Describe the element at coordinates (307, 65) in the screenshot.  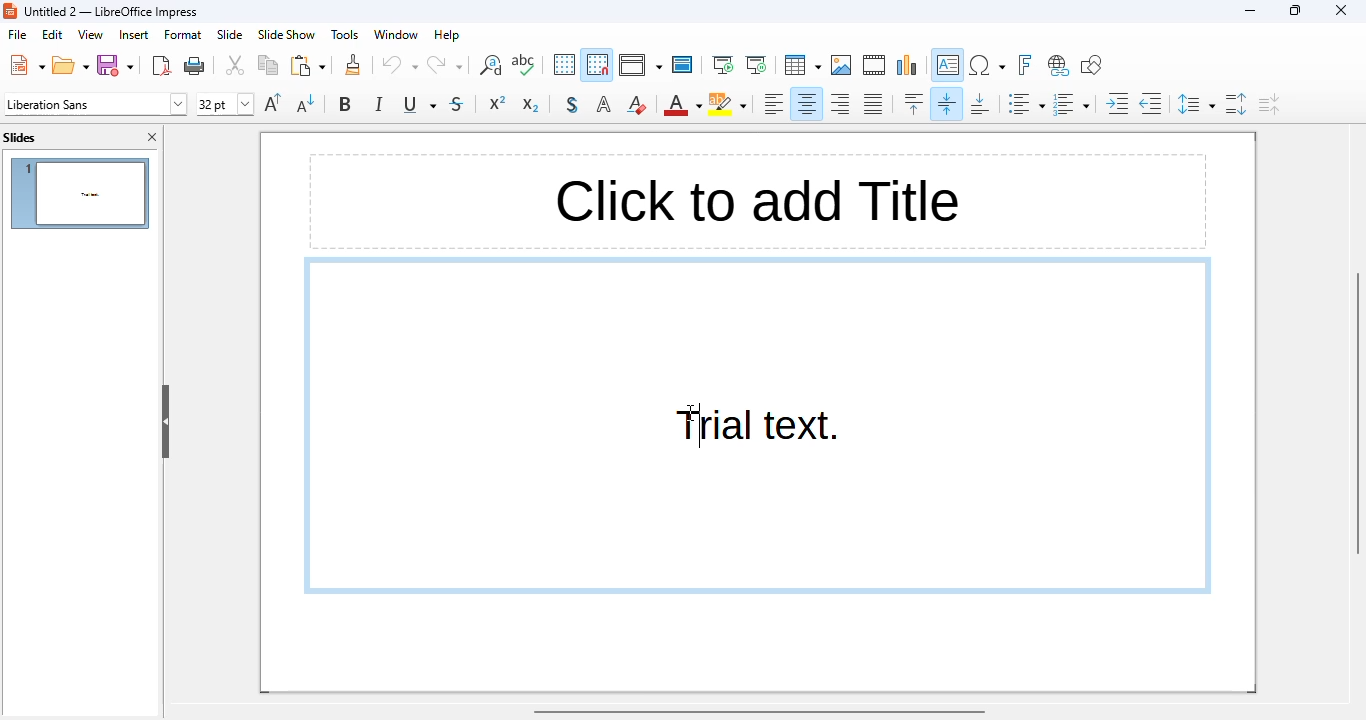
I see `paste` at that location.